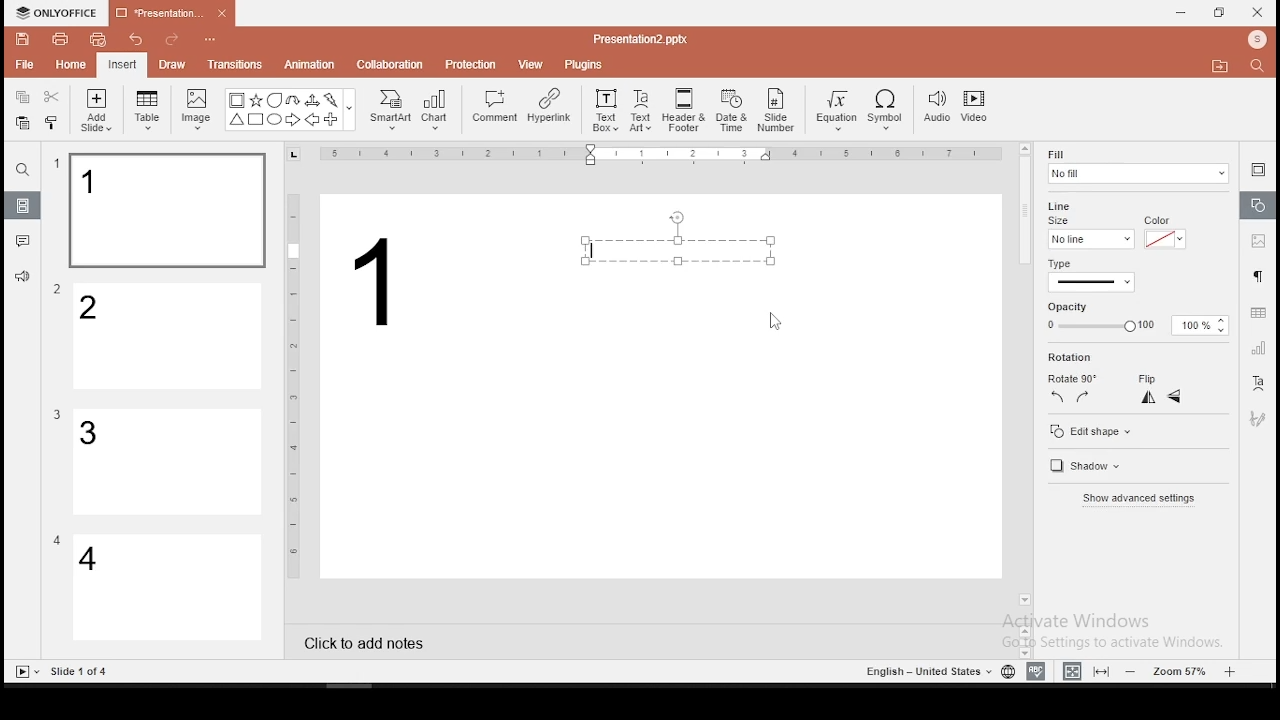 The width and height of the screenshot is (1280, 720). I want to click on line type, so click(1090, 276).